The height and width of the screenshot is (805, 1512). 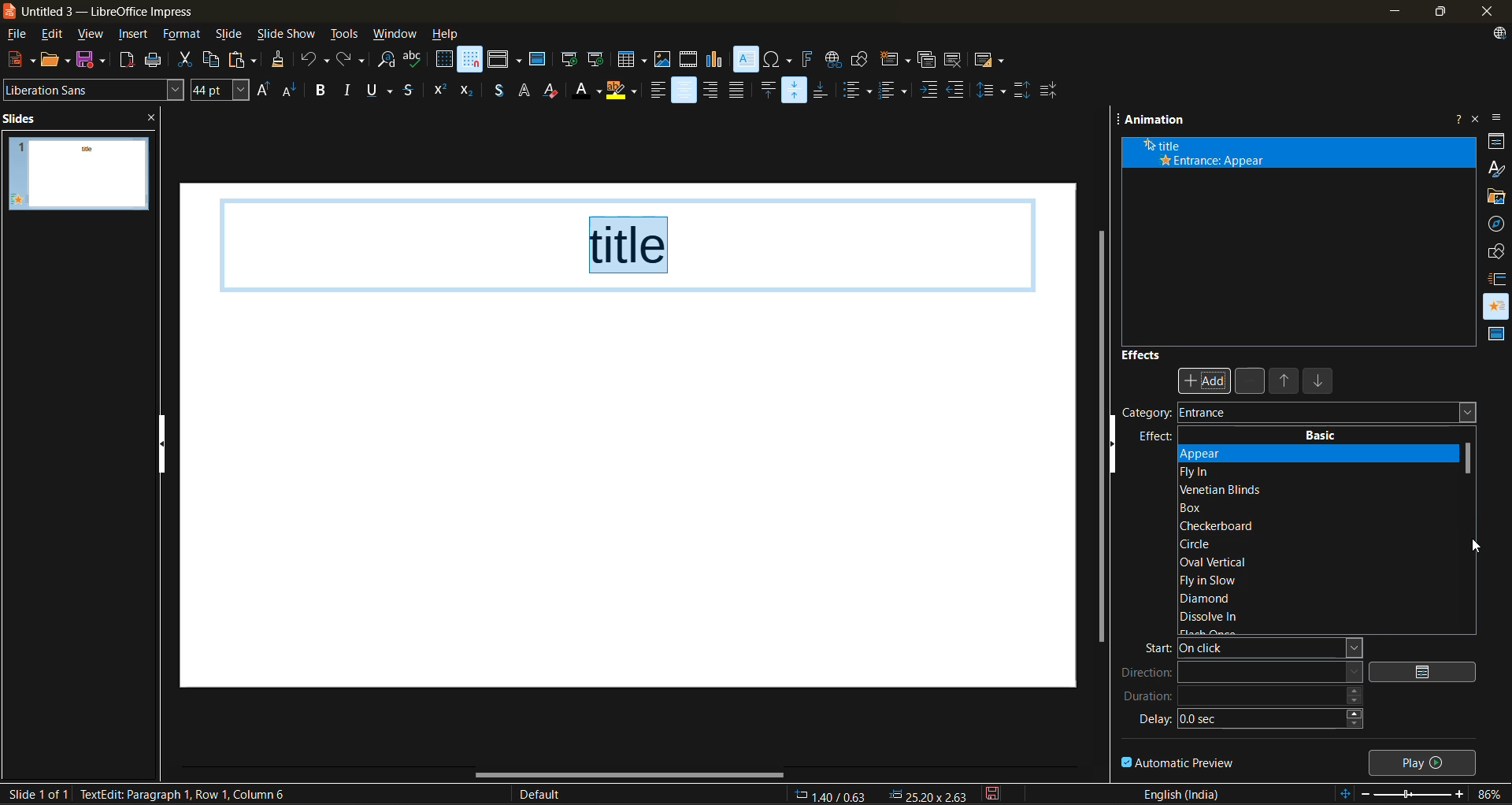 I want to click on master slide, so click(x=538, y=61).